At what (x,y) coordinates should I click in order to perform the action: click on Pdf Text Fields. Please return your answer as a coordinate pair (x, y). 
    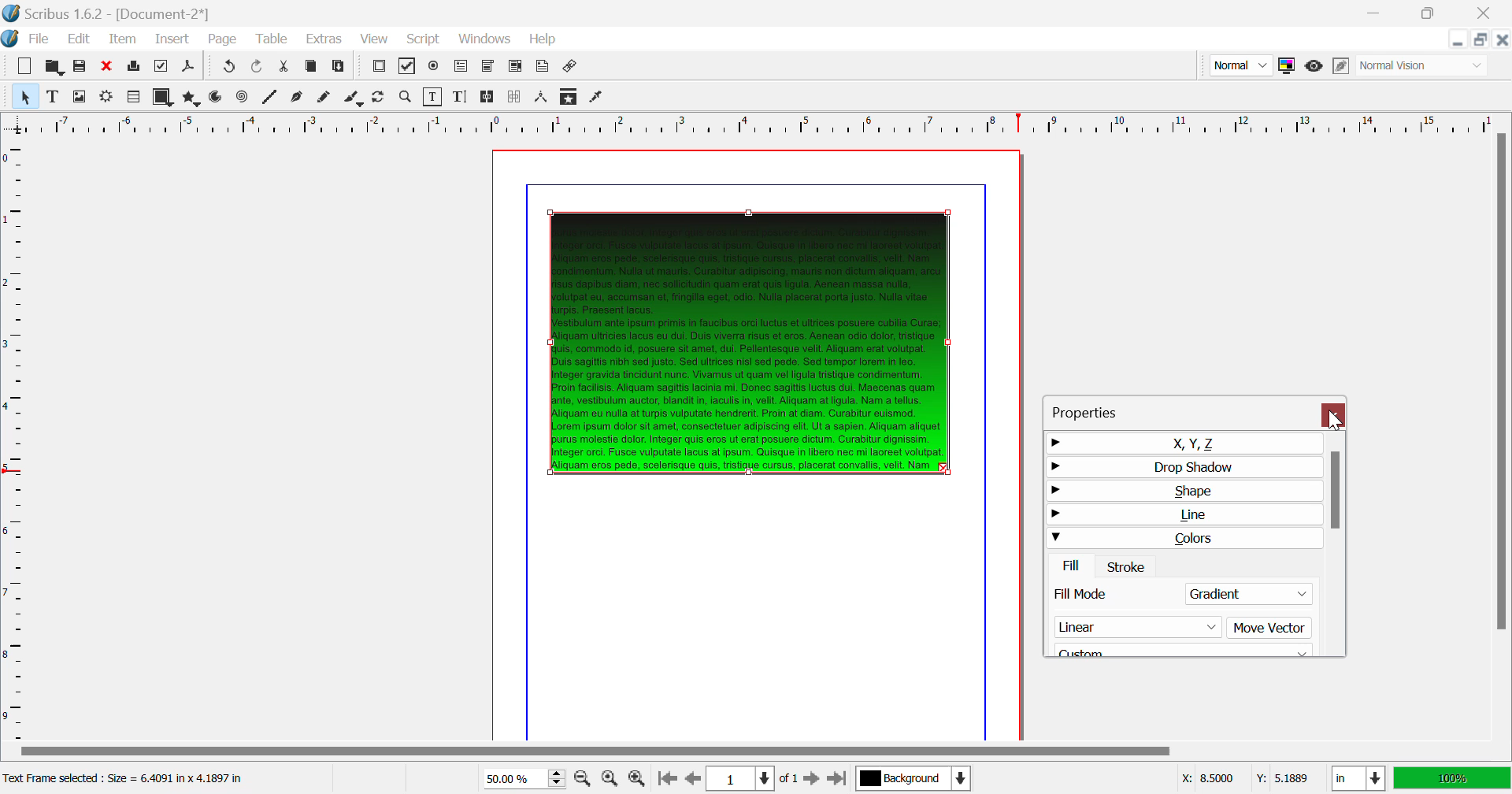
    Looking at the image, I should click on (461, 67).